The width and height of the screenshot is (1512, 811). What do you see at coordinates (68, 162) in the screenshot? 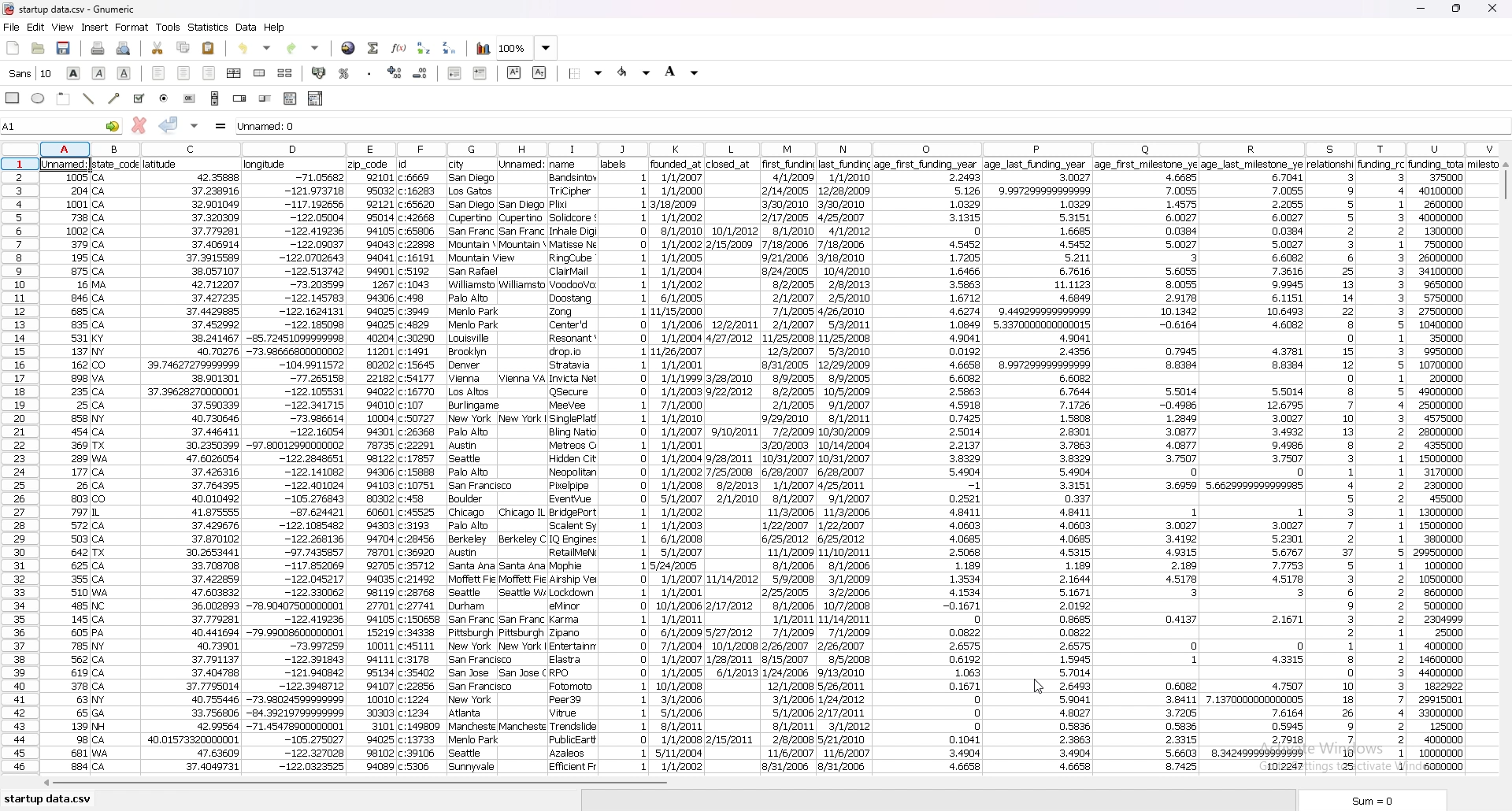
I see `selected cell` at bounding box center [68, 162].